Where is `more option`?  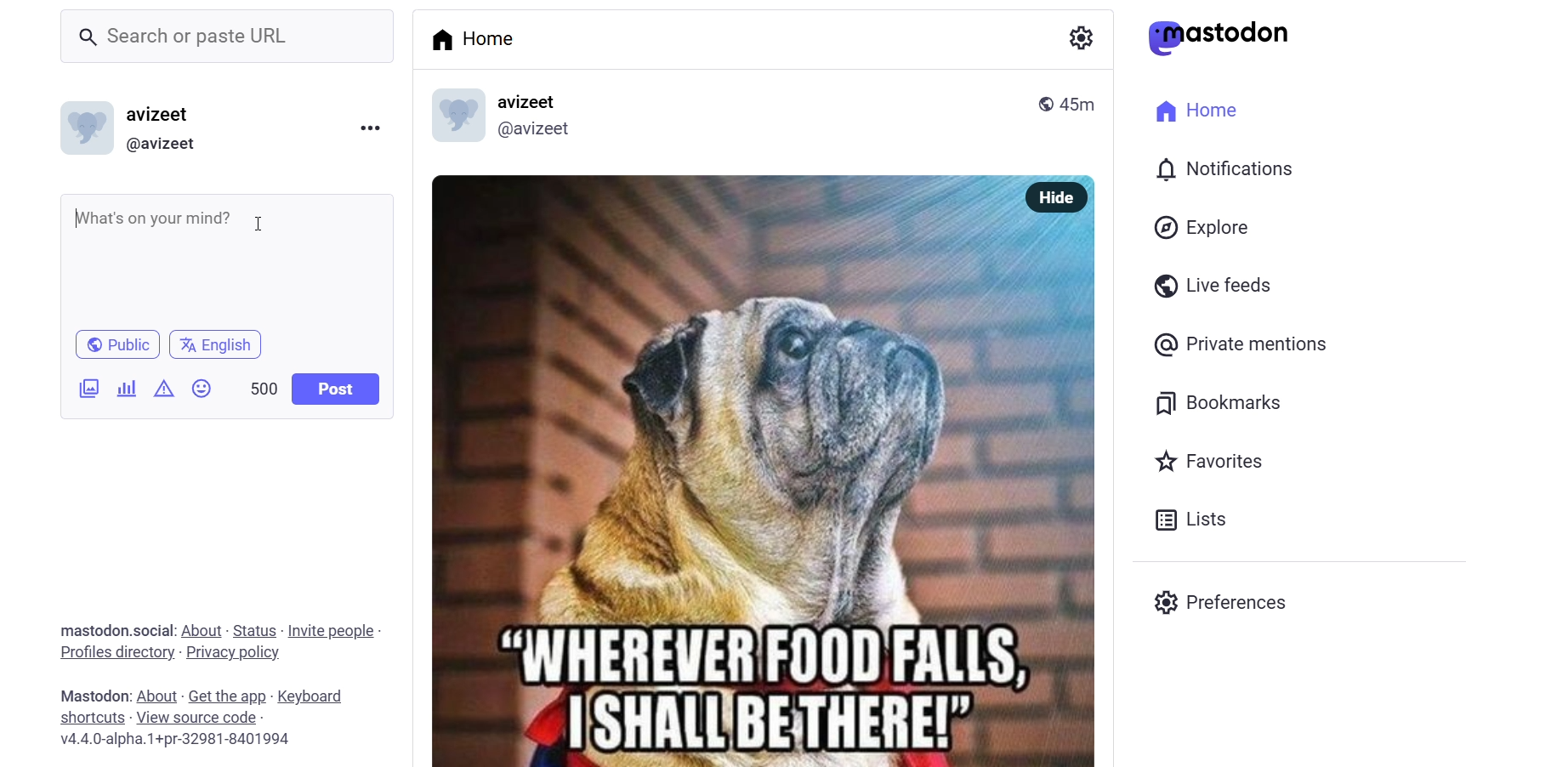 more option is located at coordinates (375, 130).